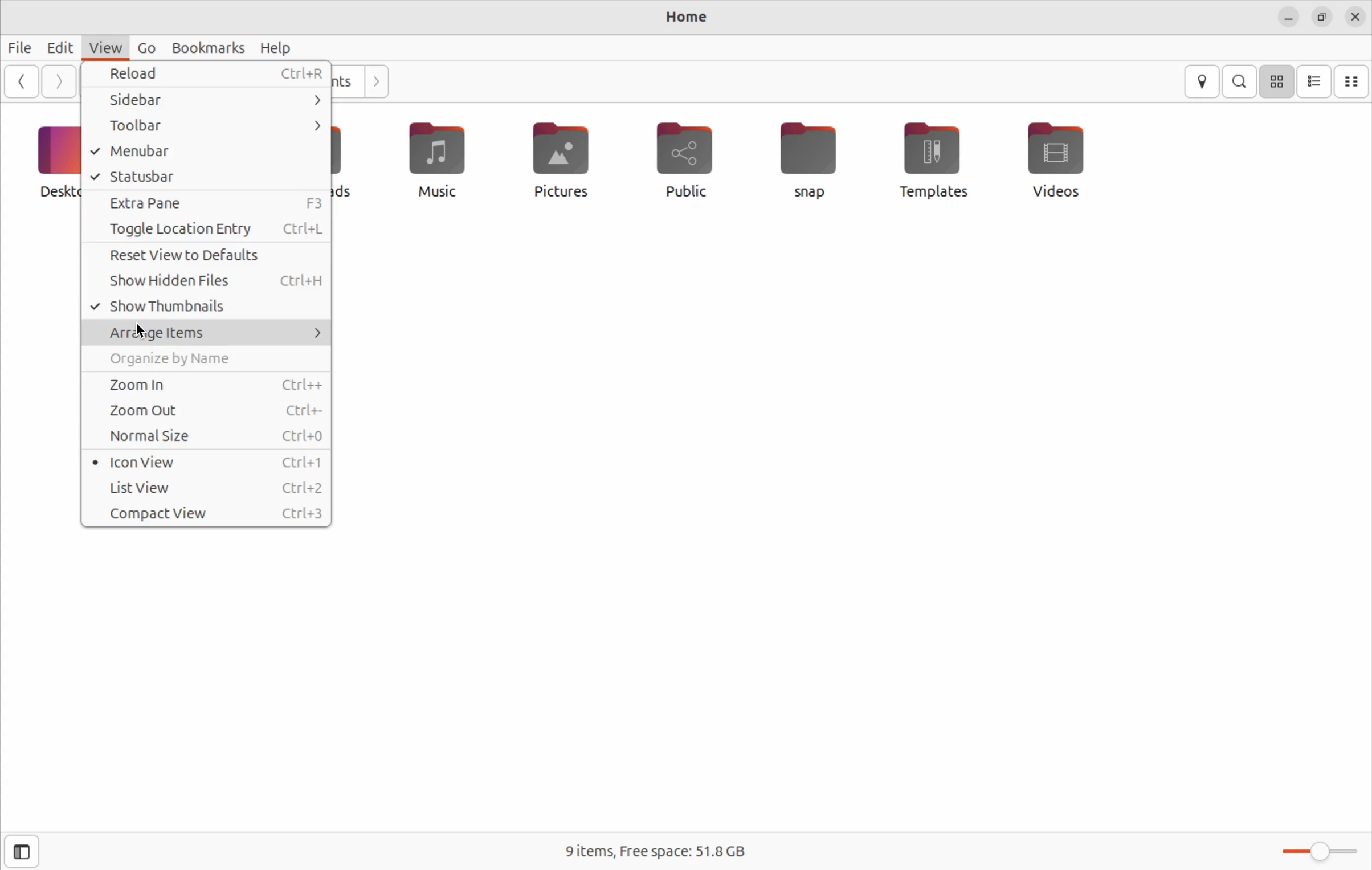 This screenshot has height=870, width=1372. I want to click on arrange items, so click(203, 331).